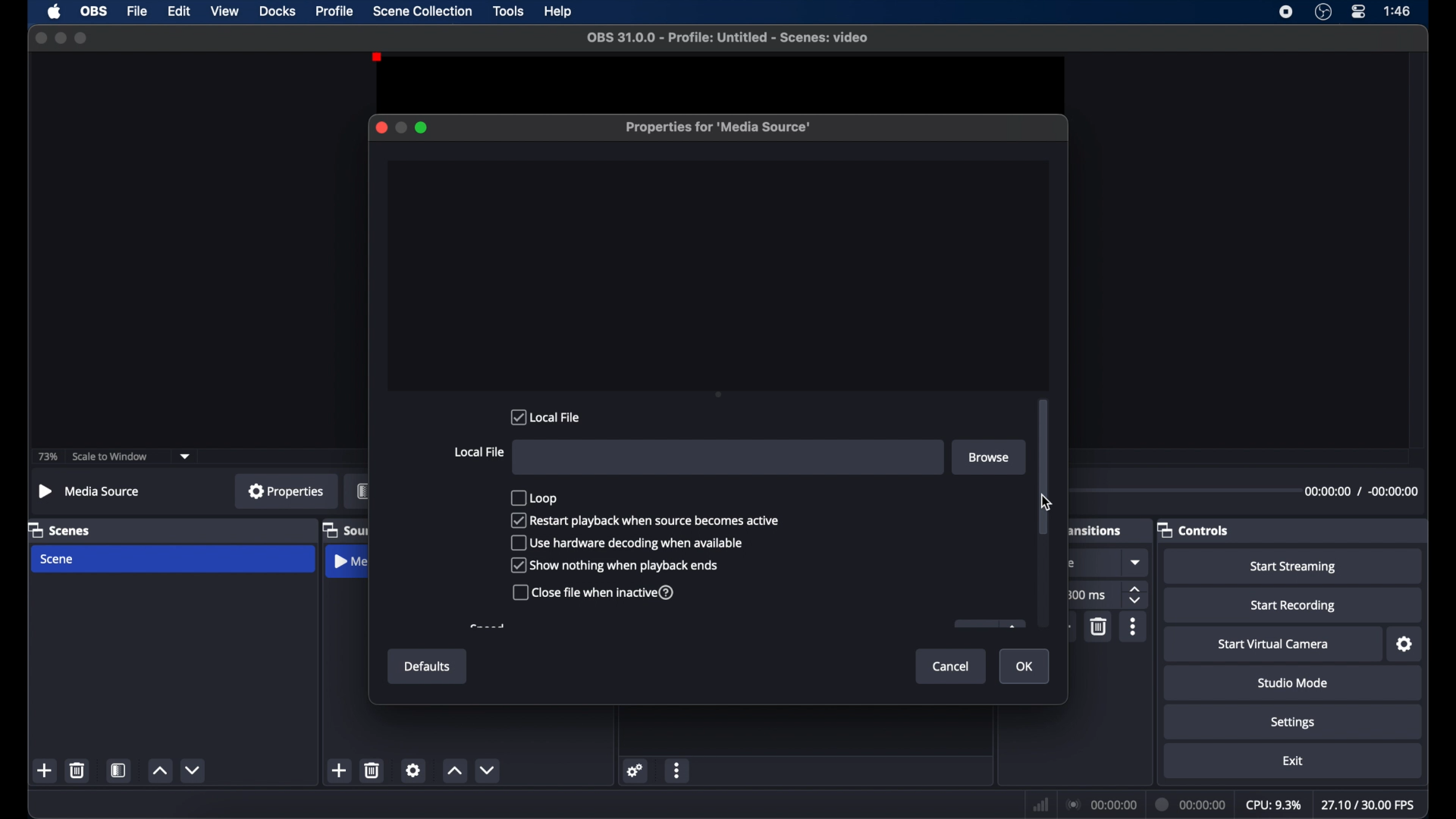 This screenshot has height=819, width=1456. What do you see at coordinates (1274, 805) in the screenshot?
I see `cpu` at bounding box center [1274, 805].